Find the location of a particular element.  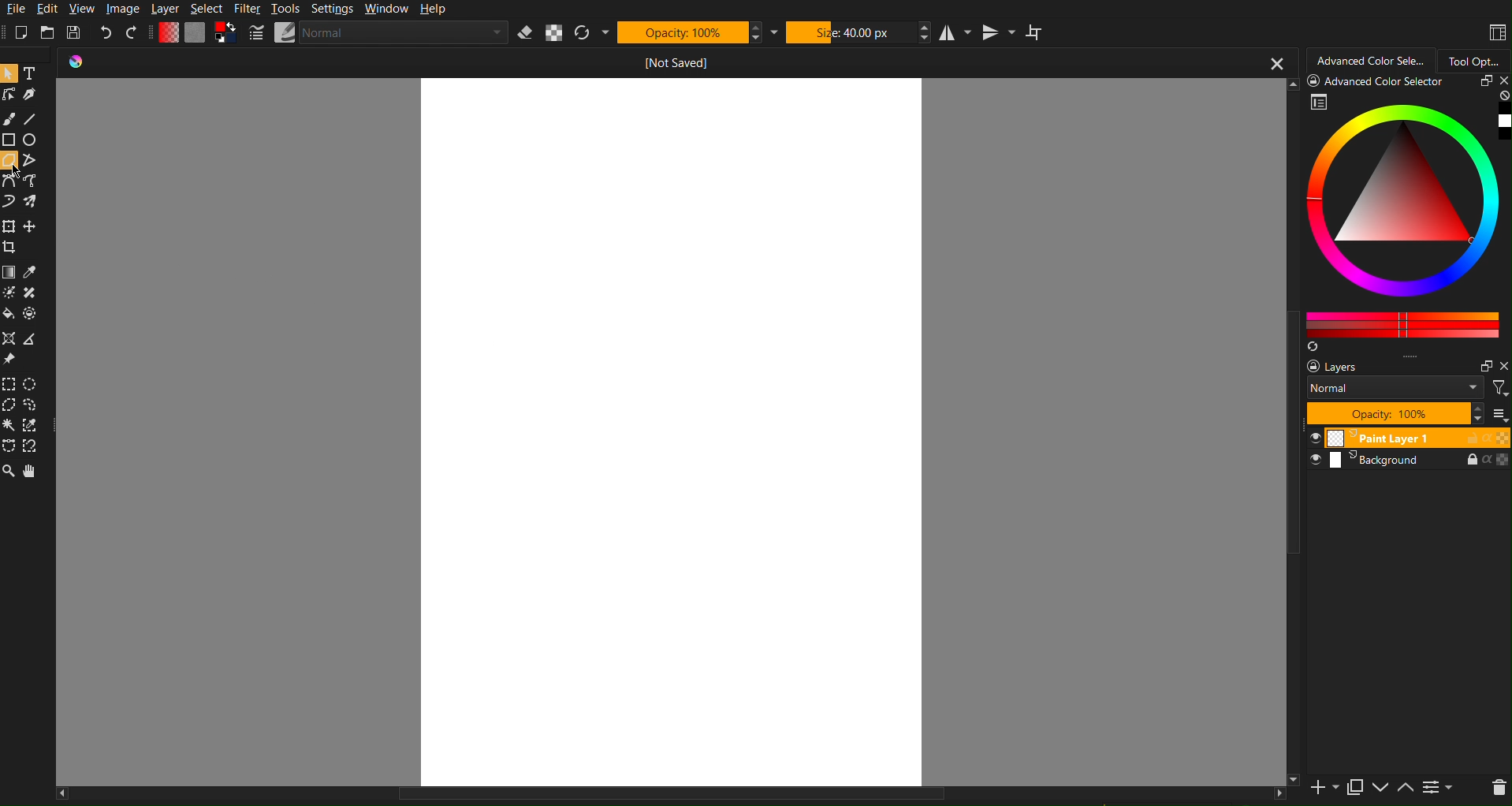

delete layer is located at coordinates (1498, 788).